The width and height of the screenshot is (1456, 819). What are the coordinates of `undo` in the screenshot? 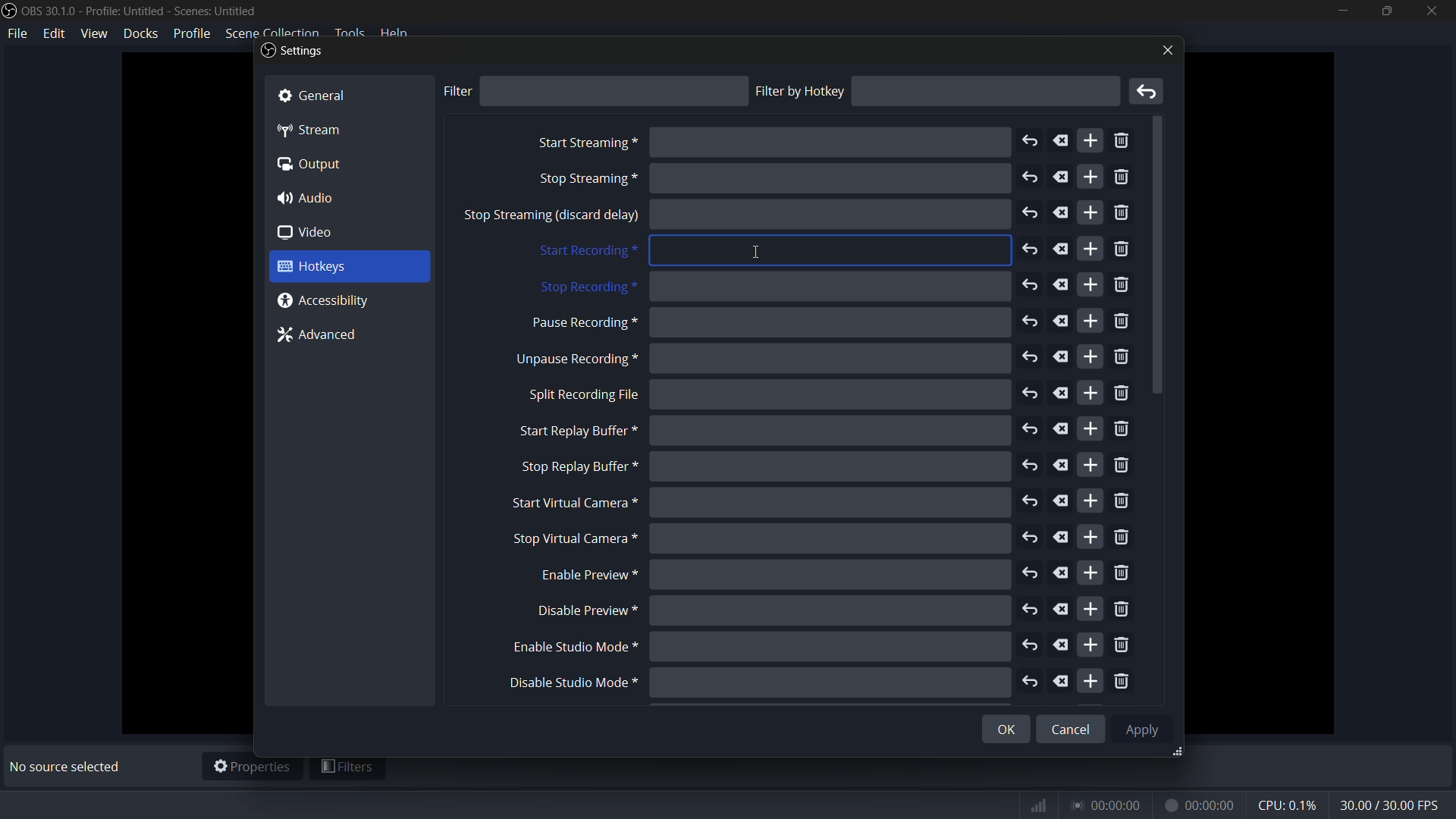 It's located at (1030, 251).